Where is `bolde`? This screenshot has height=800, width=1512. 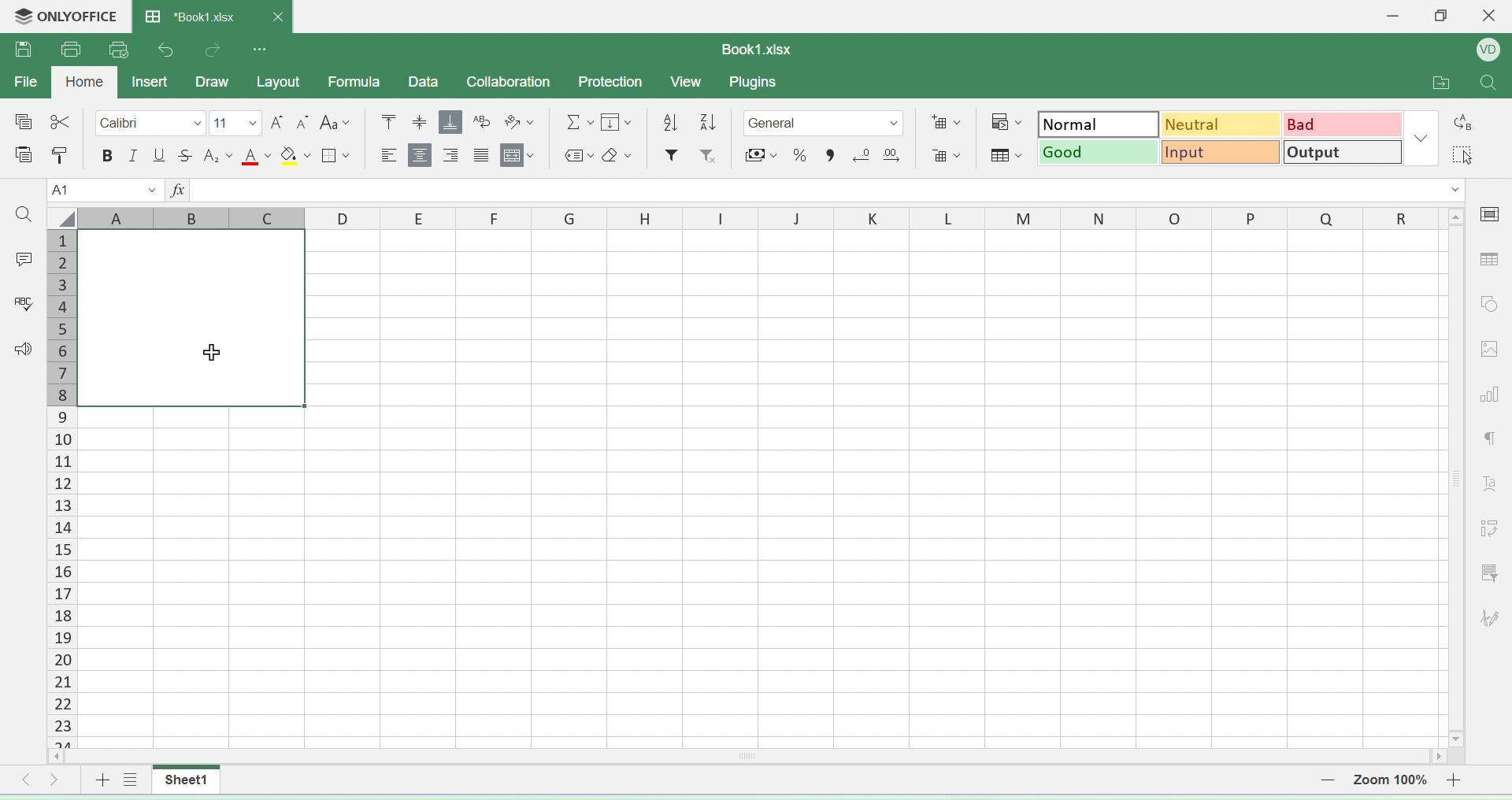 bolde is located at coordinates (106, 157).